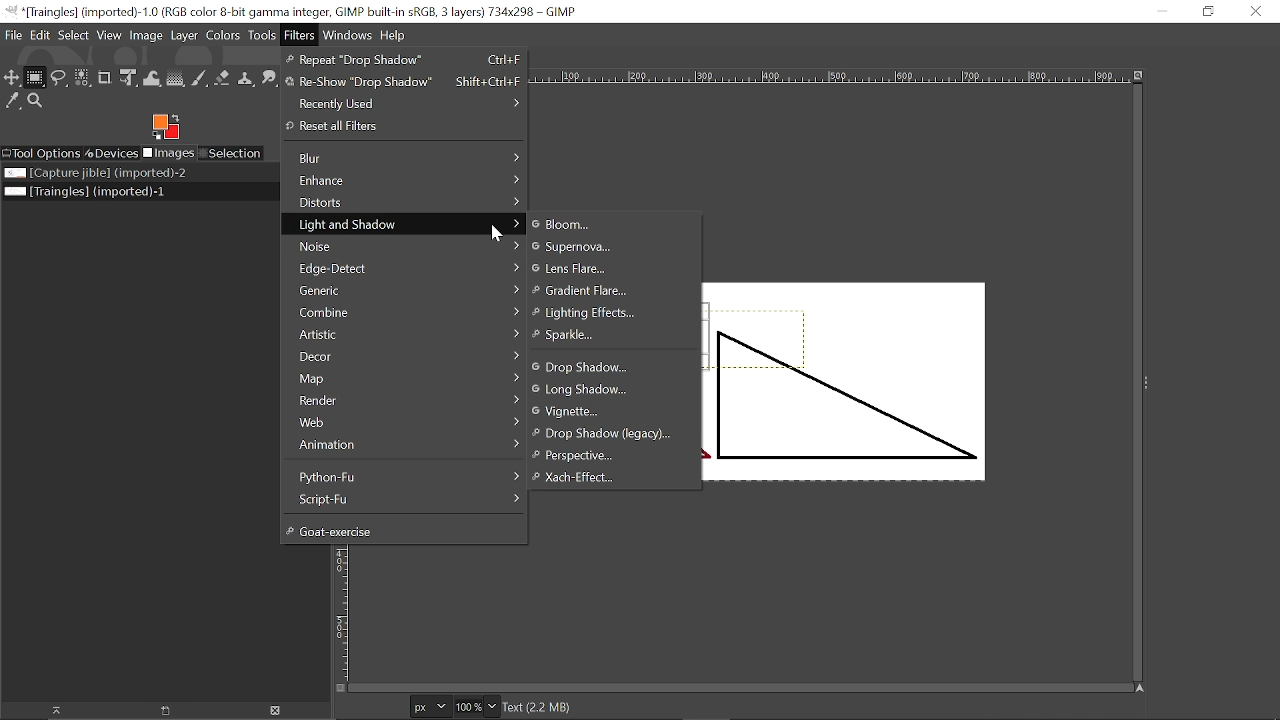 The image size is (1280, 720). What do you see at coordinates (836, 78) in the screenshot?
I see `Horizonta label` at bounding box center [836, 78].